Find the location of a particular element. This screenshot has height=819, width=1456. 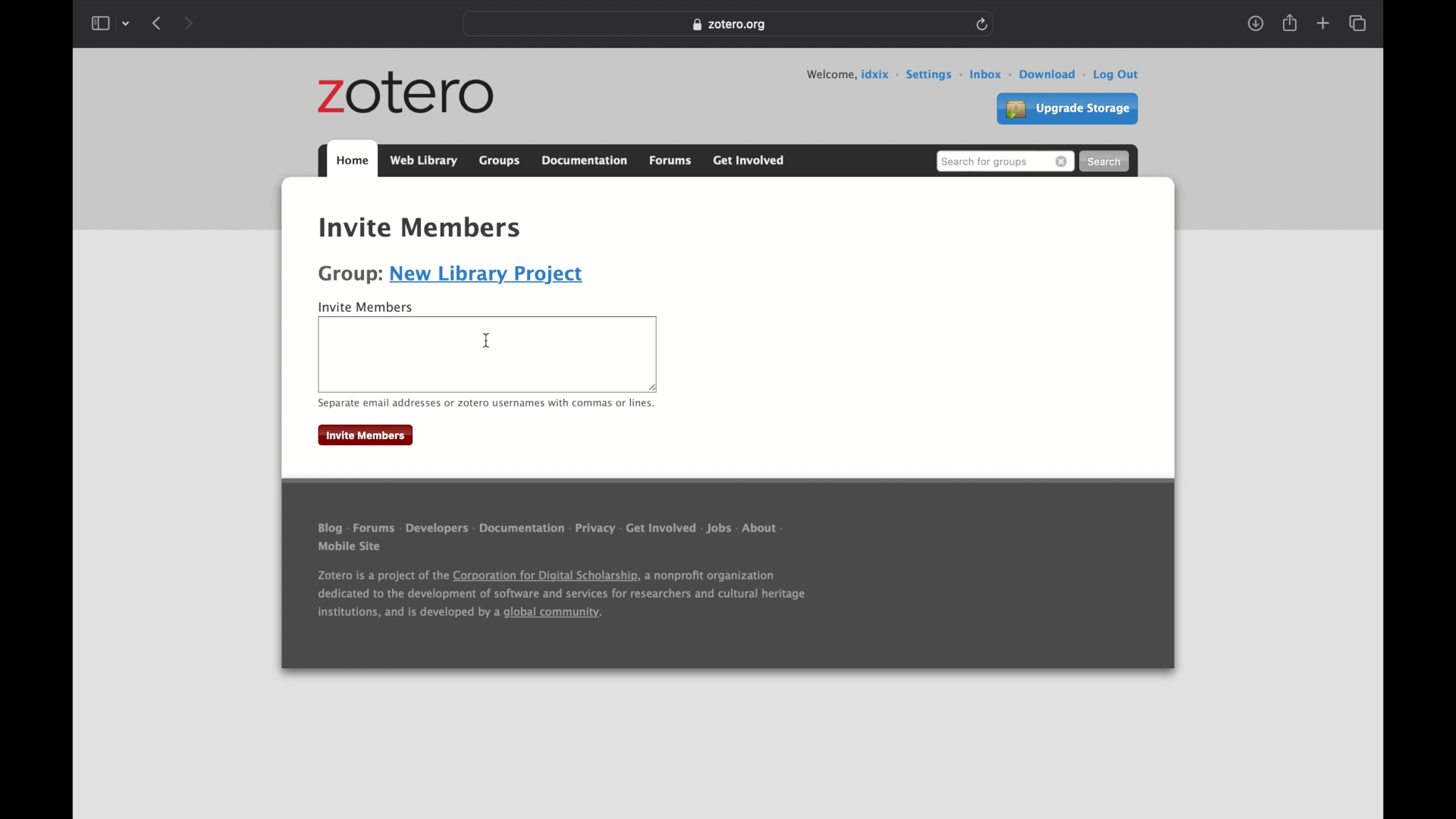

search button is located at coordinates (1105, 162).